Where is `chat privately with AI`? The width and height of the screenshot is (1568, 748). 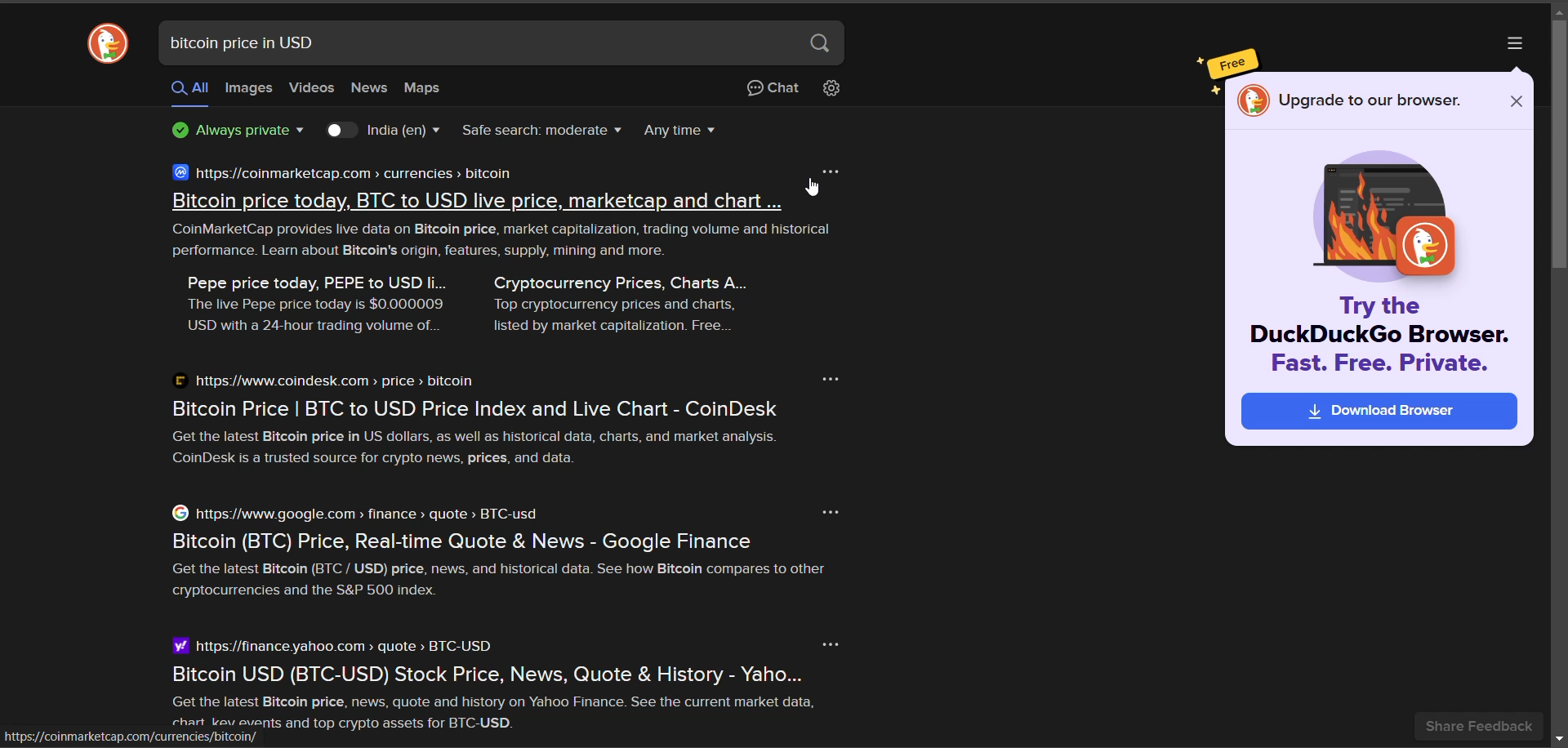 chat privately with AI is located at coordinates (768, 90).